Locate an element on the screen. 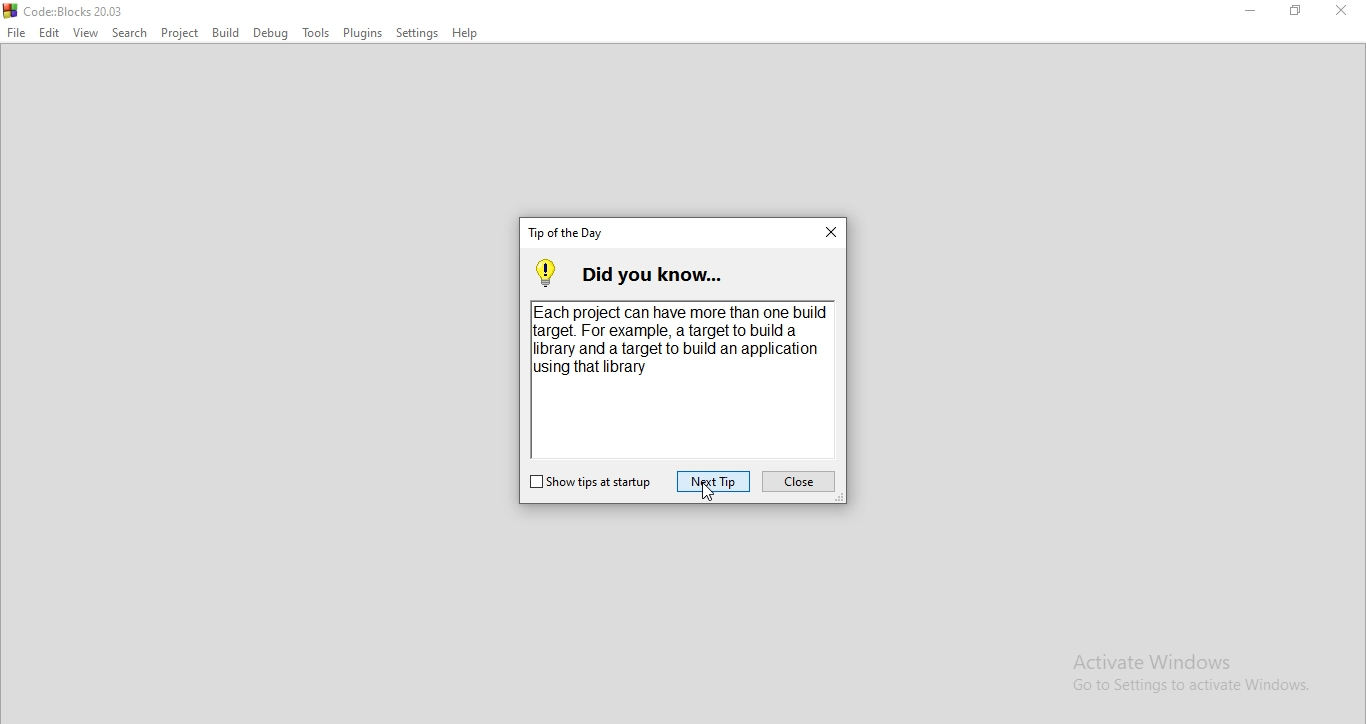 The height and width of the screenshot is (724, 1366). Settings  is located at coordinates (414, 32).